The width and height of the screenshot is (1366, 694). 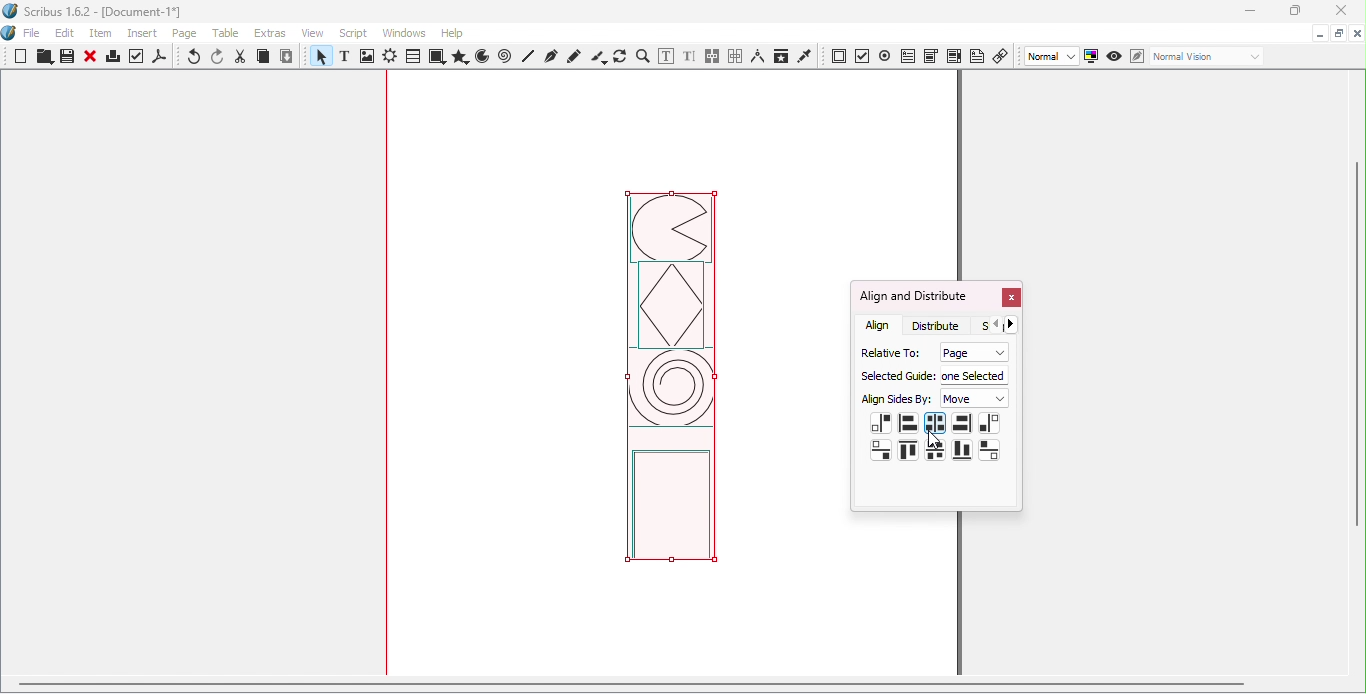 What do you see at coordinates (550, 56) in the screenshot?
I see `Bezier curve tool` at bounding box center [550, 56].